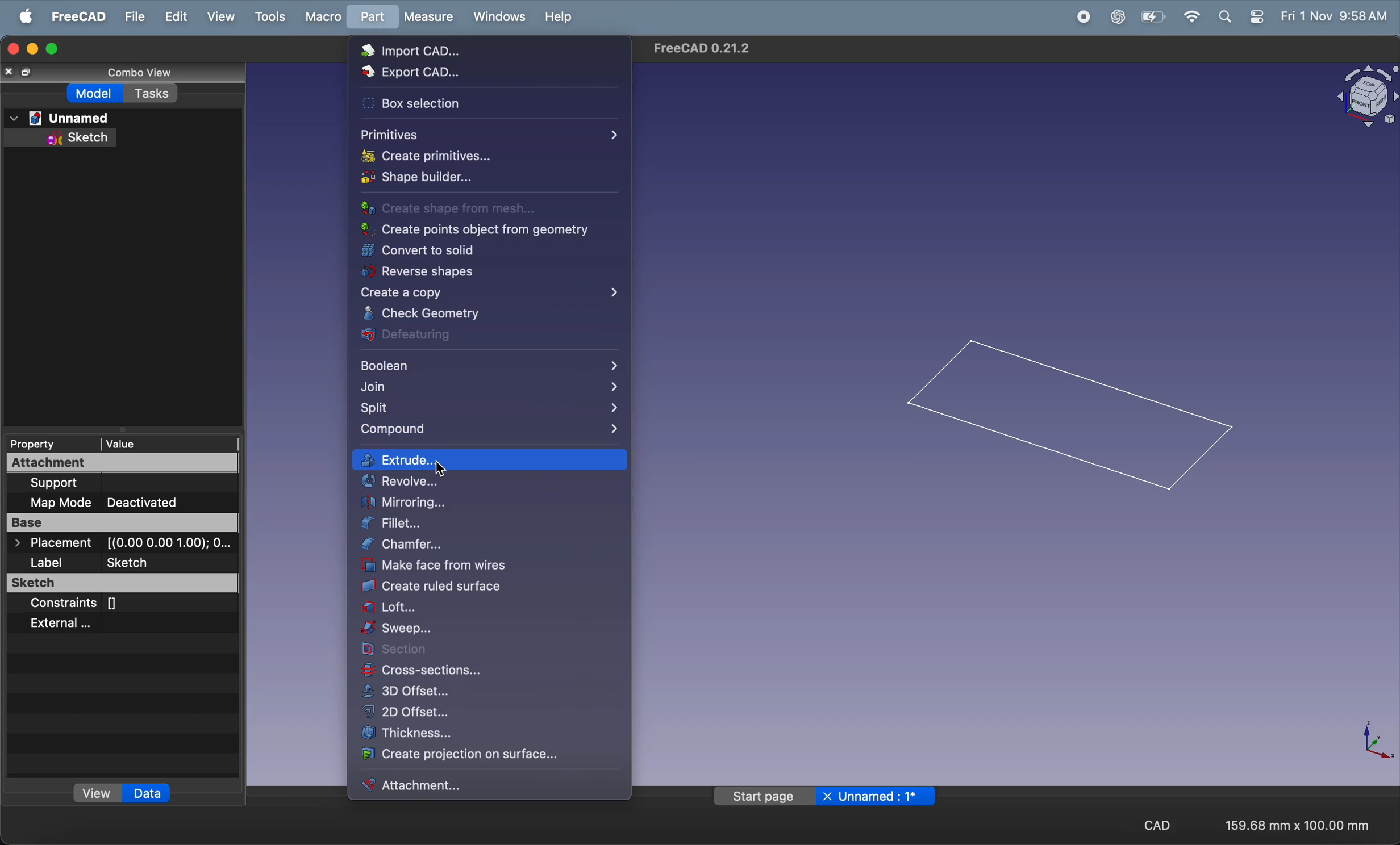 The image size is (1400, 845). Describe the element at coordinates (155, 97) in the screenshot. I see `tasks` at that location.